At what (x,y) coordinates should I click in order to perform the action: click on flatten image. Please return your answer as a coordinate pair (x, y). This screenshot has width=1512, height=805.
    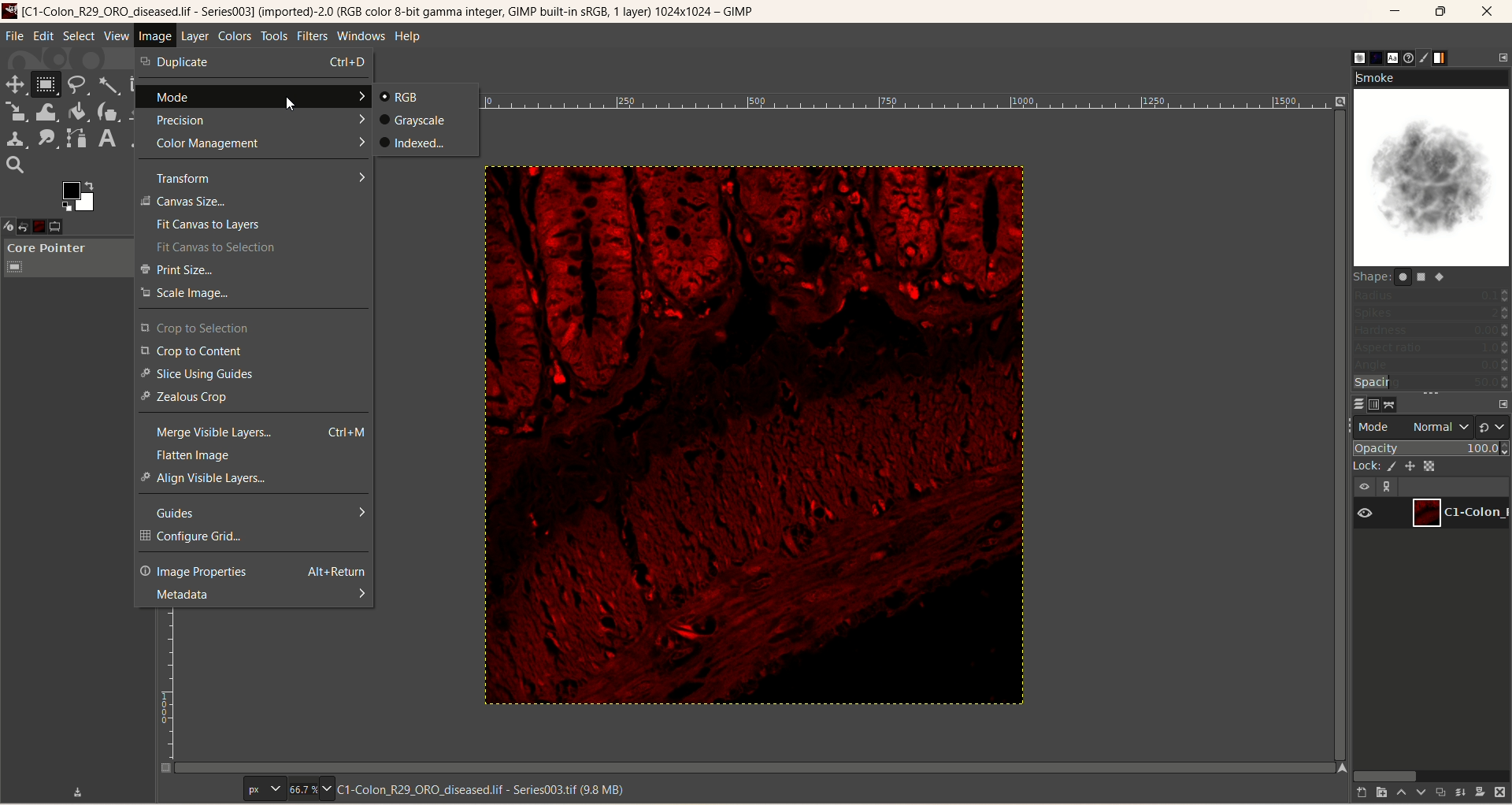
    Looking at the image, I should click on (254, 455).